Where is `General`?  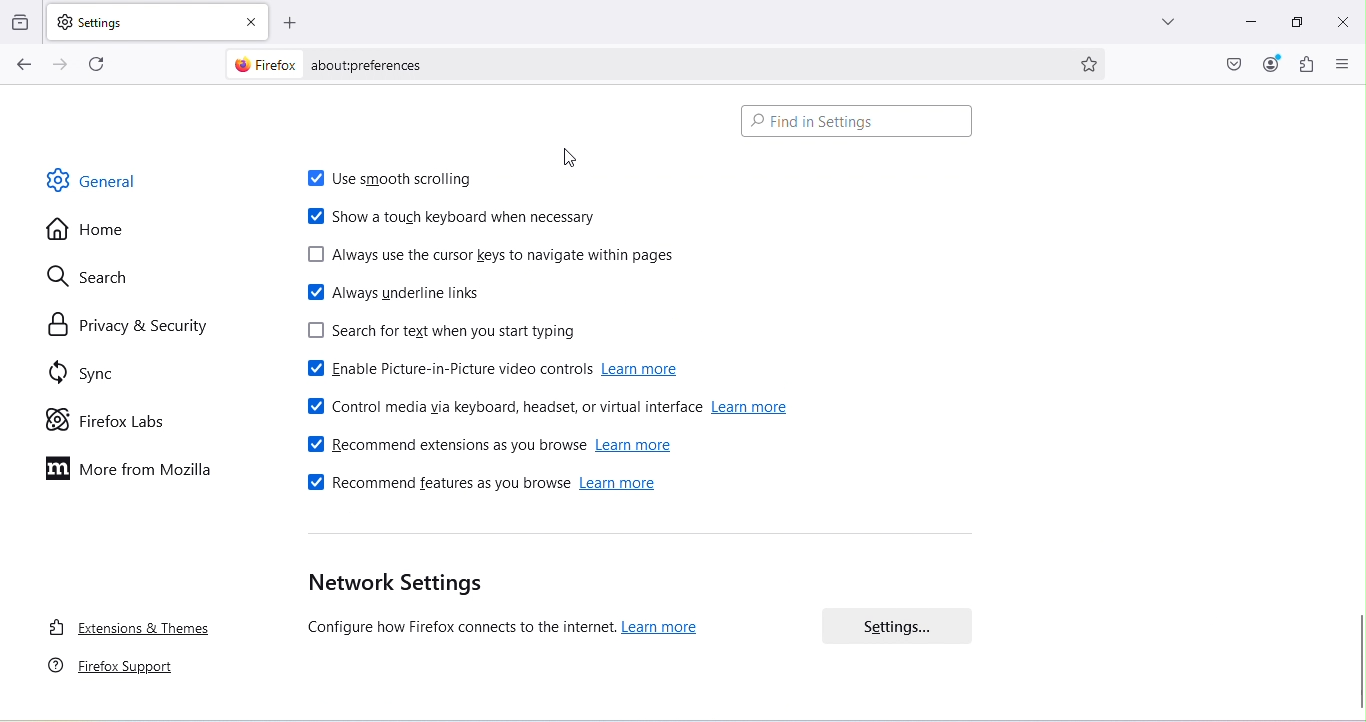 General is located at coordinates (99, 183).